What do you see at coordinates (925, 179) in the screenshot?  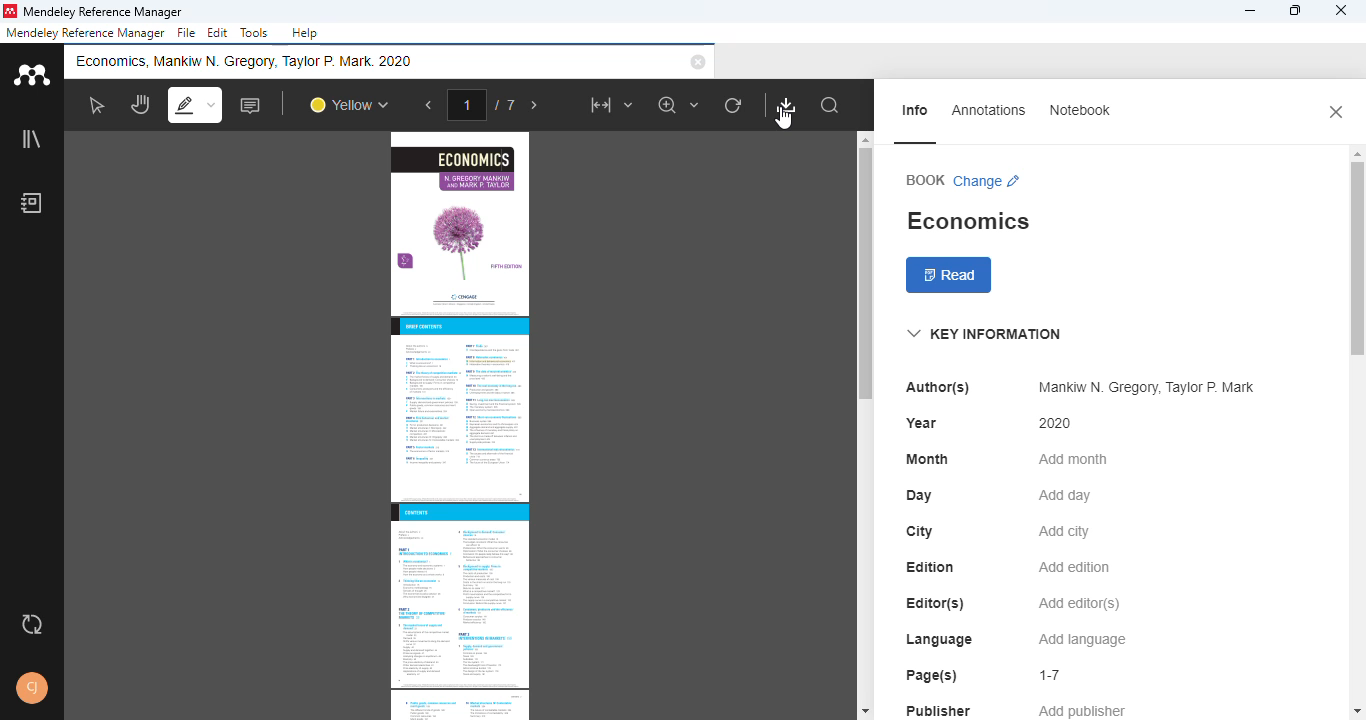 I see `book` at bounding box center [925, 179].